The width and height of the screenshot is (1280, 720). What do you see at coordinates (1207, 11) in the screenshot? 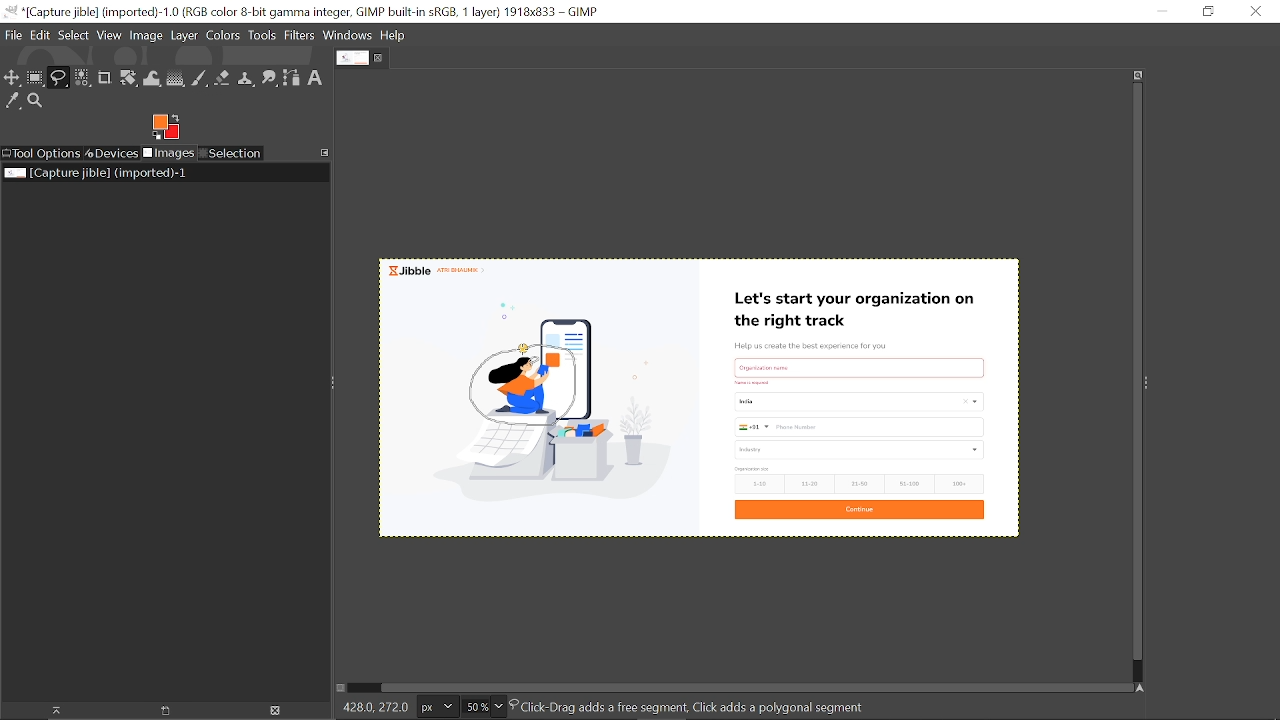
I see `restore down` at bounding box center [1207, 11].